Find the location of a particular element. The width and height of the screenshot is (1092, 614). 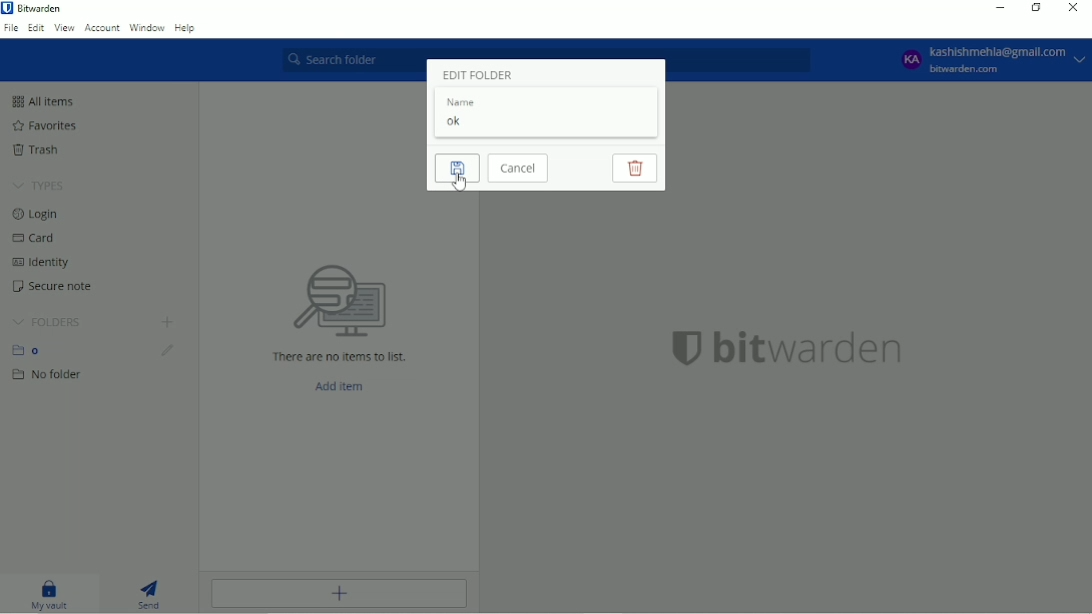

Account is located at coordinates (988, 60).